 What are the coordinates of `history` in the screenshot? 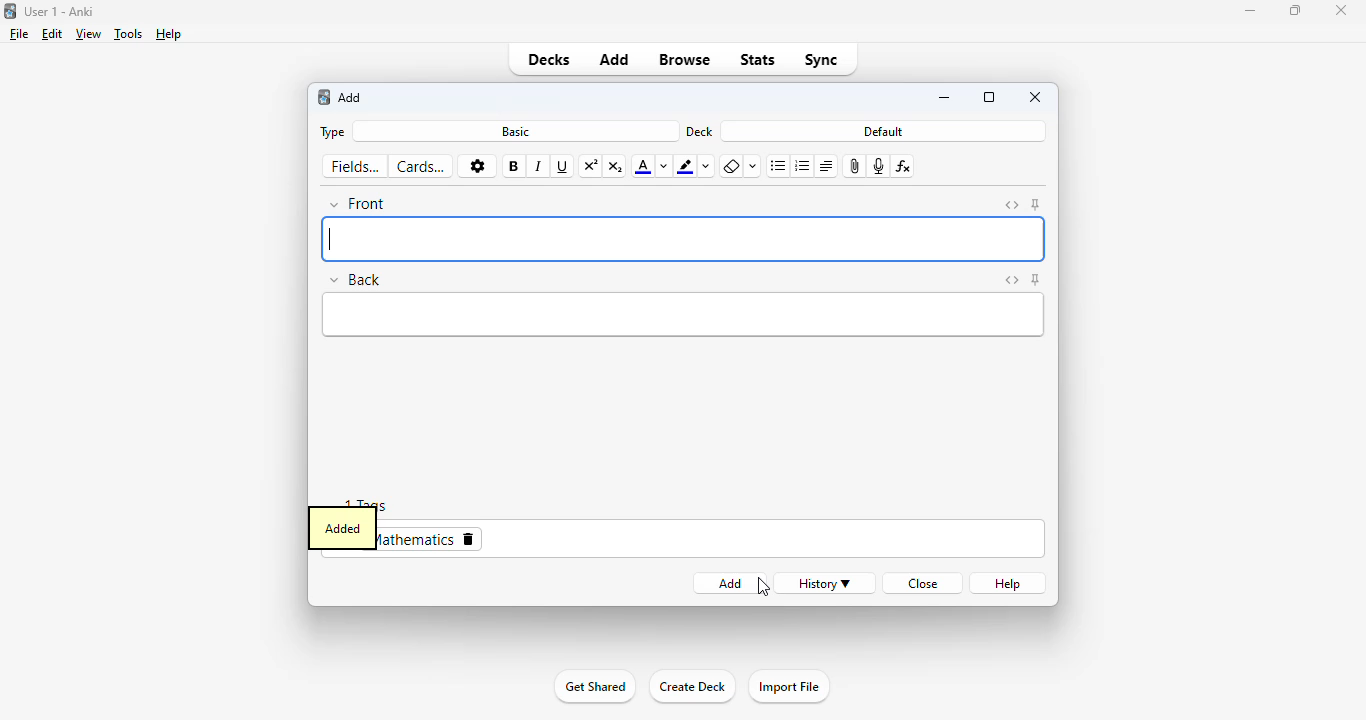 It's located at (827, 583).